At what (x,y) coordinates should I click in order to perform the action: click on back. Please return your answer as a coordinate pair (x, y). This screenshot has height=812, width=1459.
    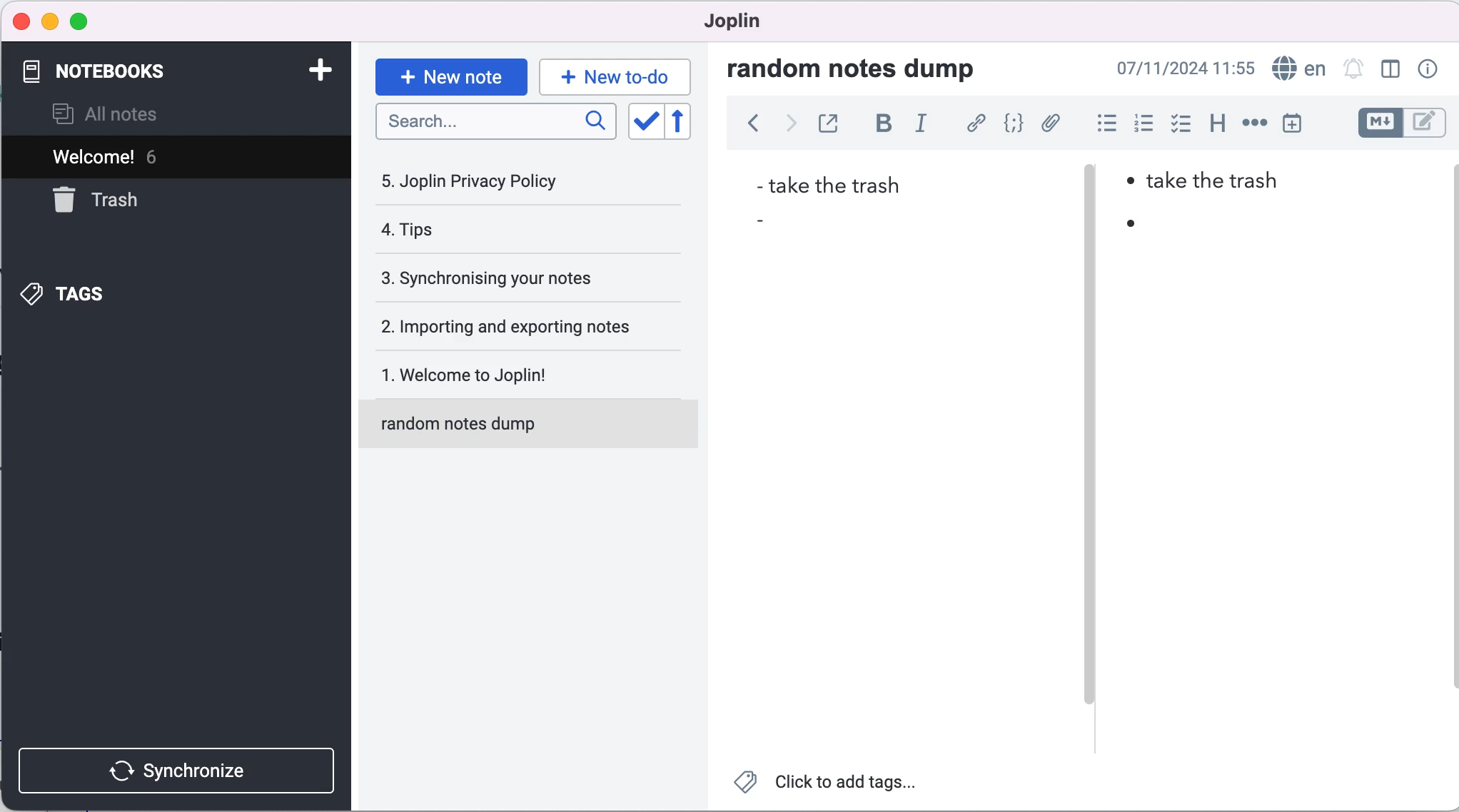
    Looking at the image, I should click on (746, 128).